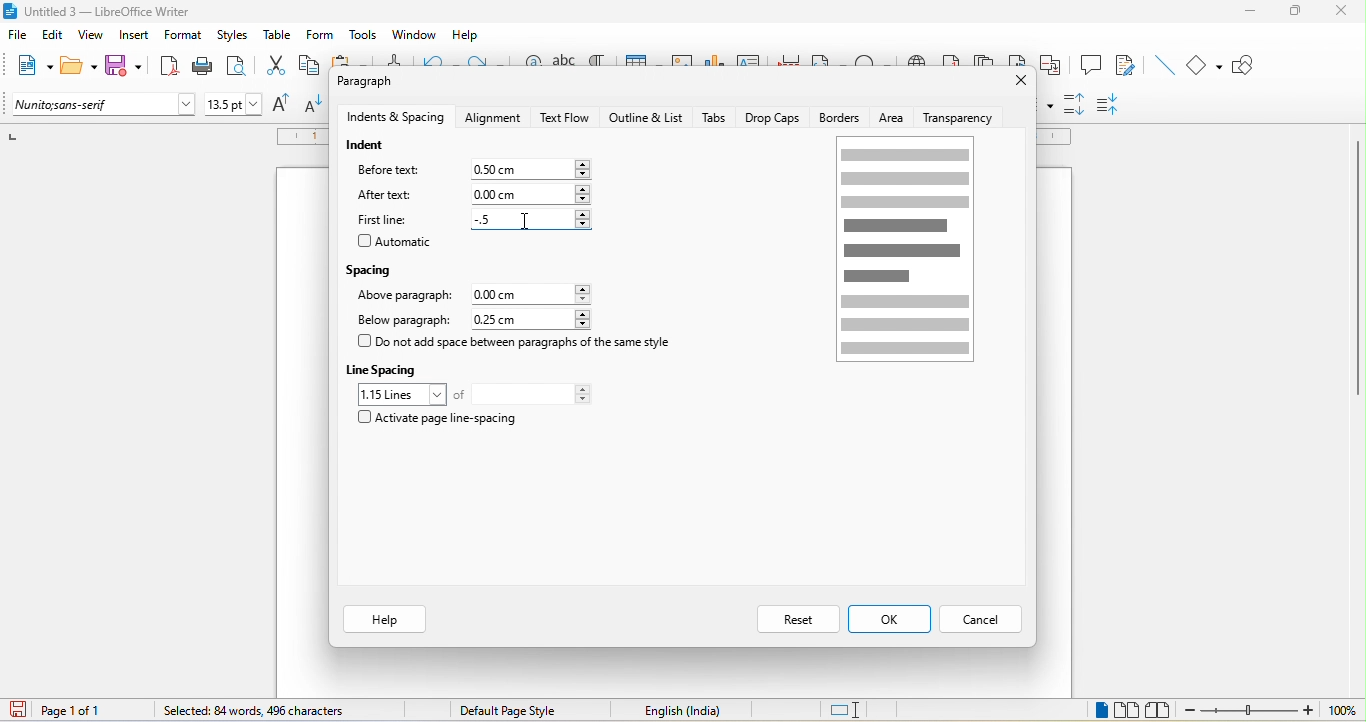  Describe the element at coordinates (183, 37) in the screenshot. I see `format` at that location.